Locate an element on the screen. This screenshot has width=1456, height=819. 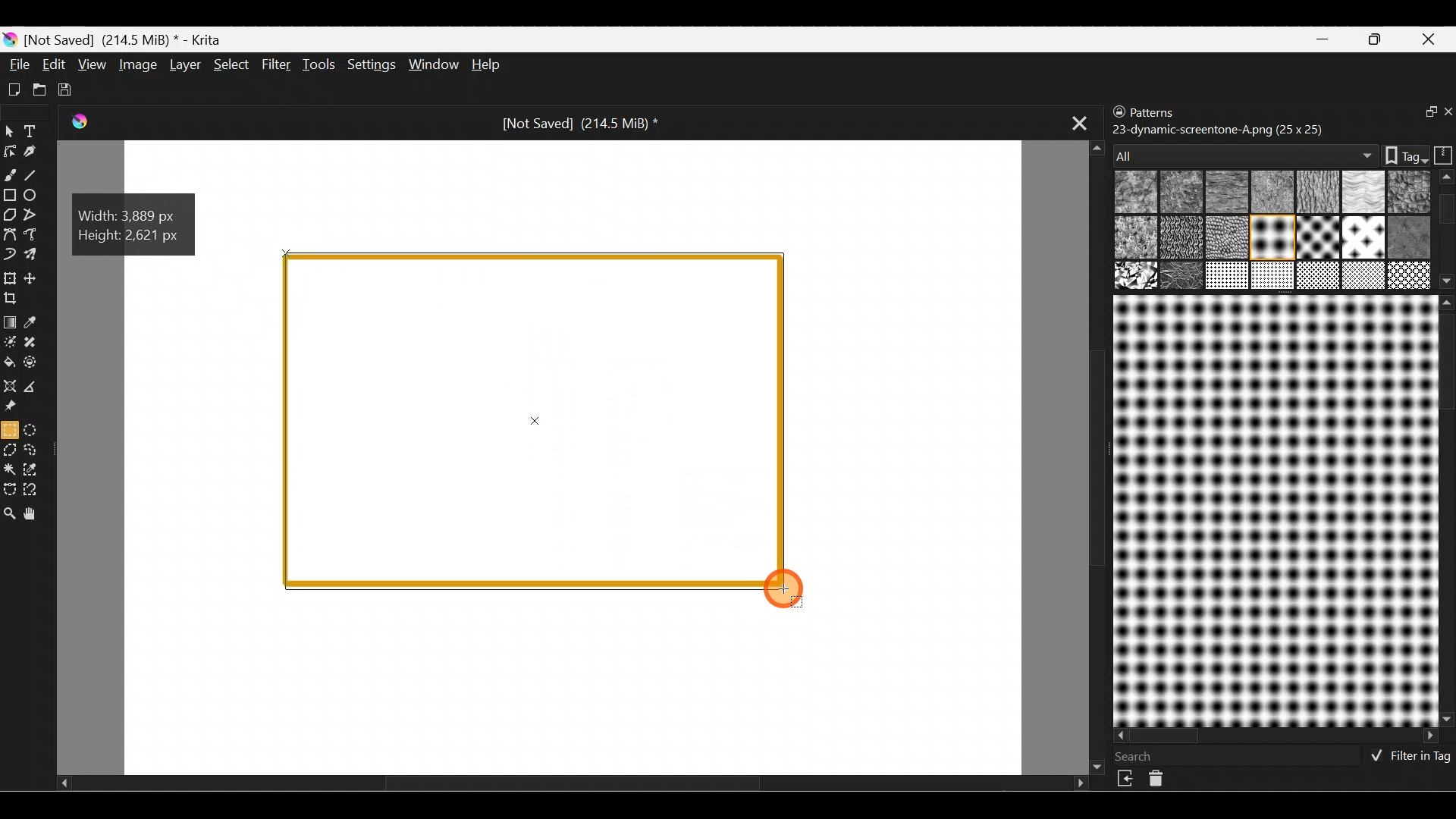
18 texture_bark.png is located at coordinates (1316, 277).